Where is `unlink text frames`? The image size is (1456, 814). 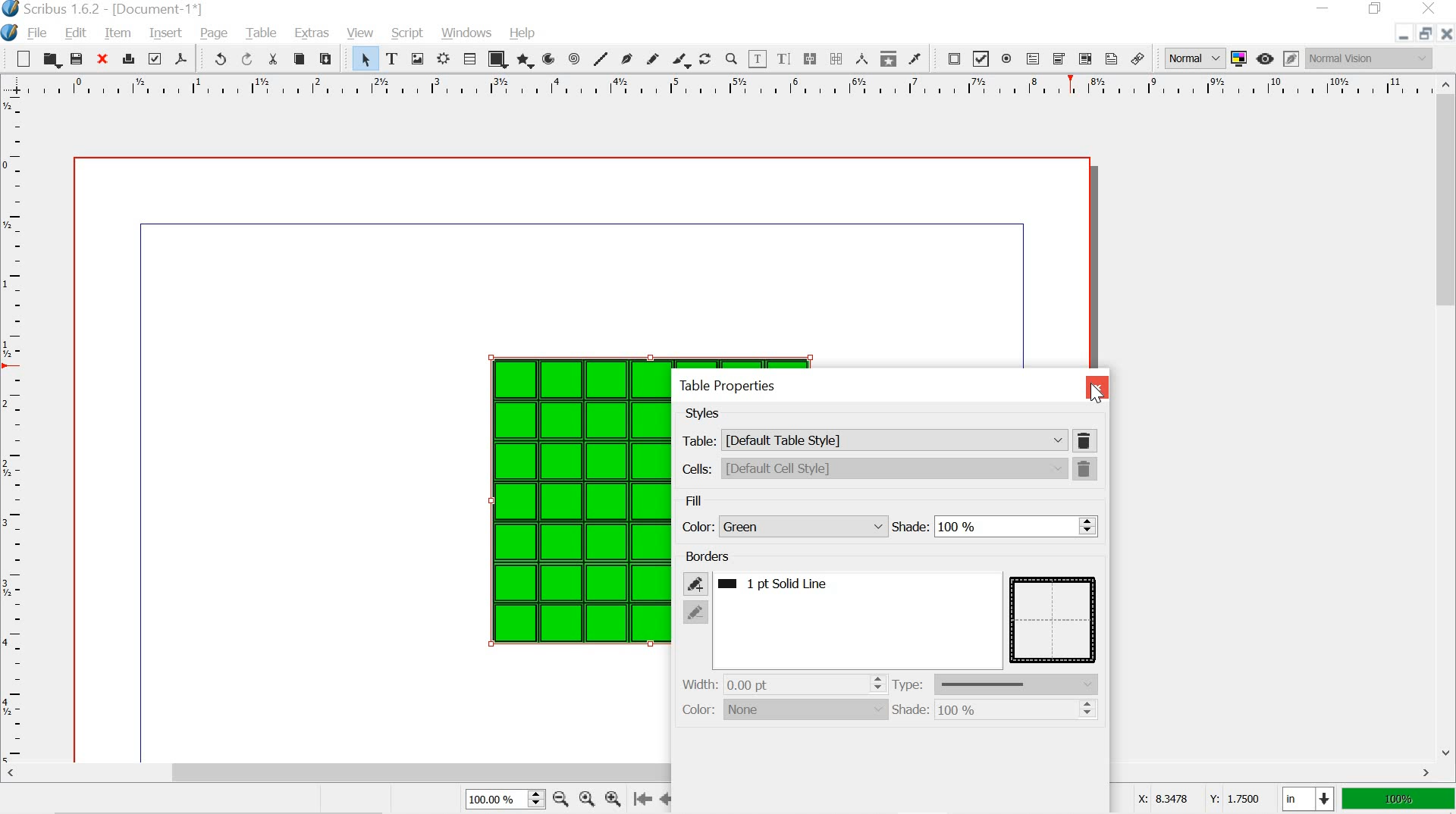 unlink text frames is located at coordinates (838, 57).